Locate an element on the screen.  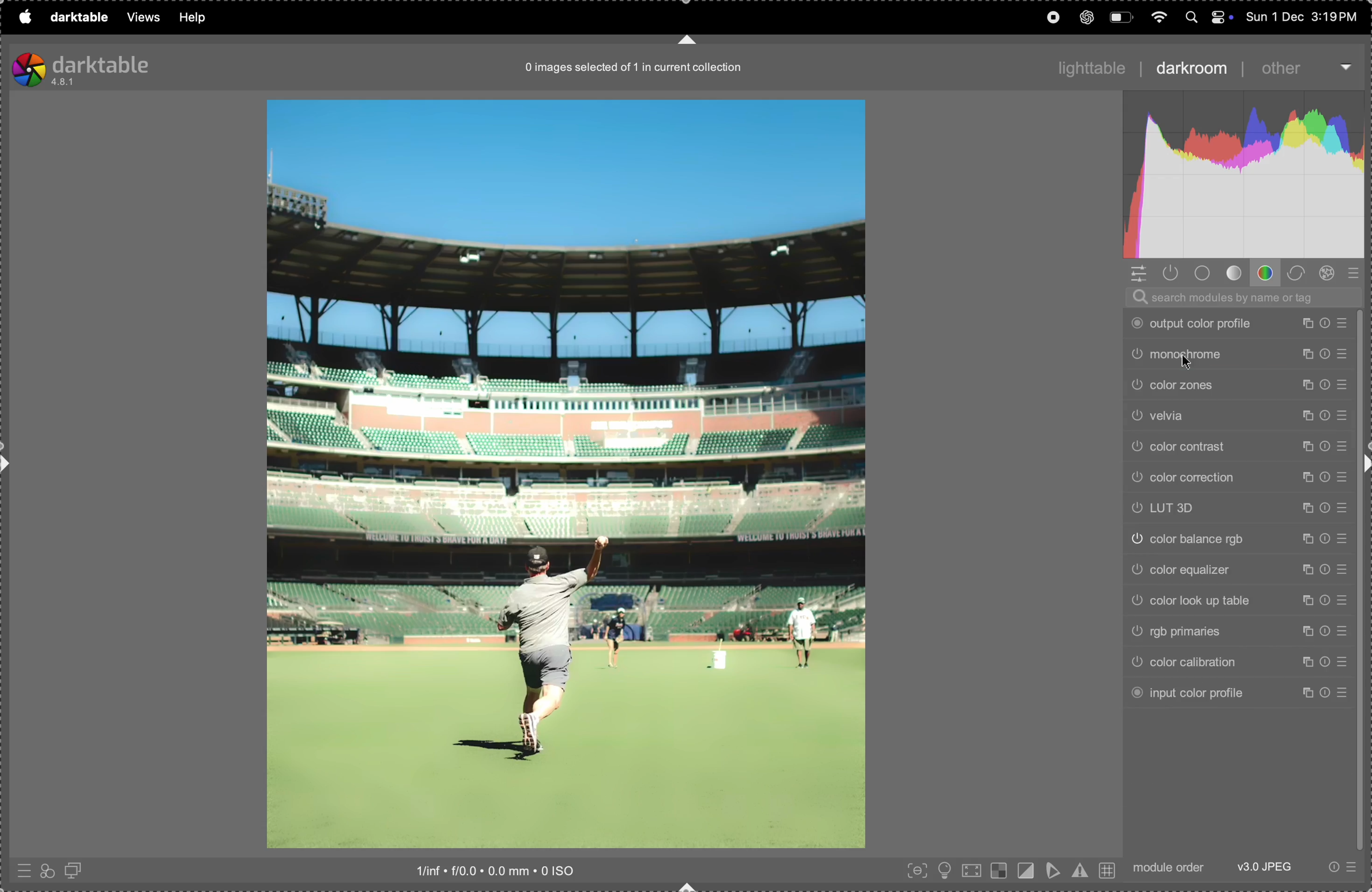
other is located at coordinates (1283, 68).